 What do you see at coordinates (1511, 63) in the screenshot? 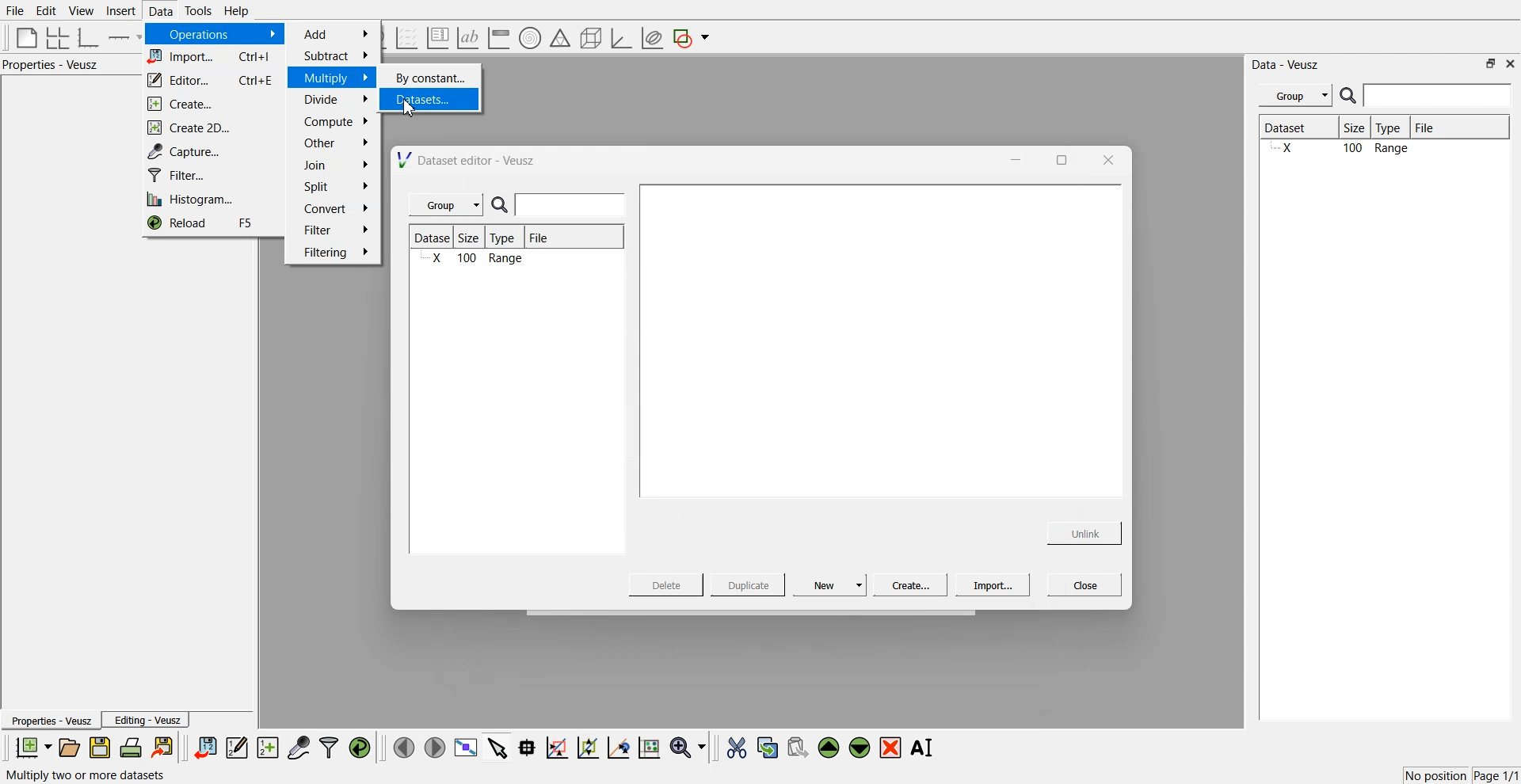
I see `close` at bounding box center [1511, 63].